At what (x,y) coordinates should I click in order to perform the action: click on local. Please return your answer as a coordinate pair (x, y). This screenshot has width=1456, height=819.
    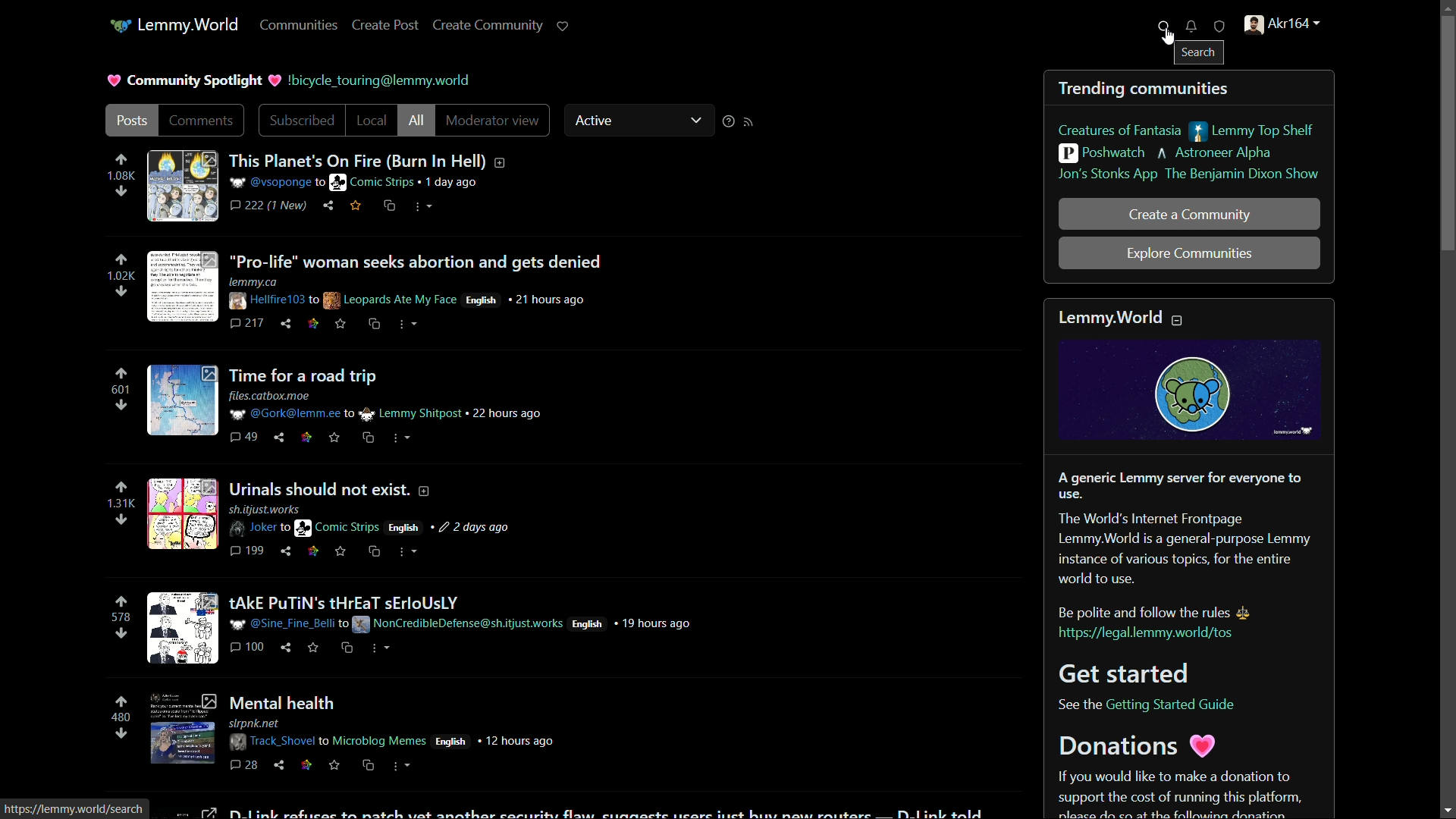
    Looking at the image, I should click on (371, 120).